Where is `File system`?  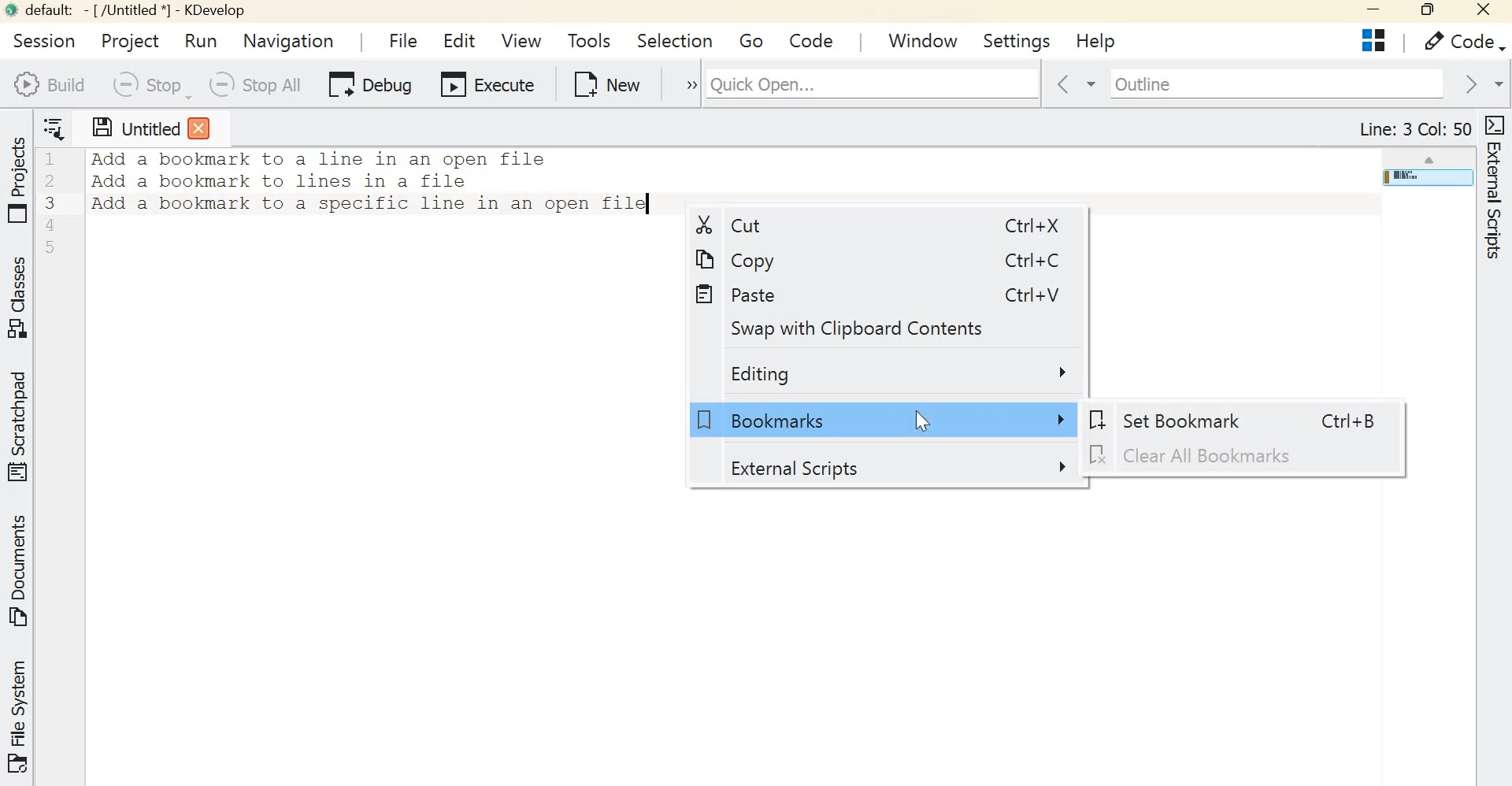
File system is located at coordinates (21, 715).